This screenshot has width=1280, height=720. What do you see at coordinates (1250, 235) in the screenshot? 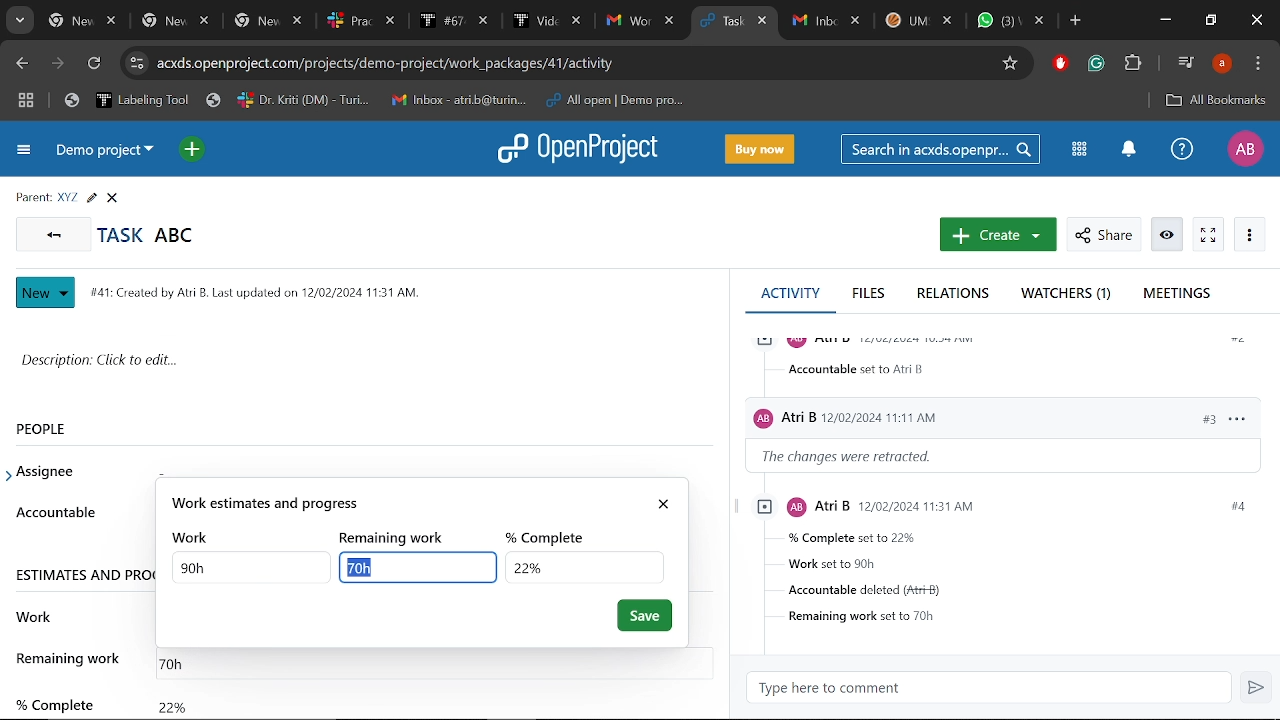
I see `More` at bounding box center [1250, 235].